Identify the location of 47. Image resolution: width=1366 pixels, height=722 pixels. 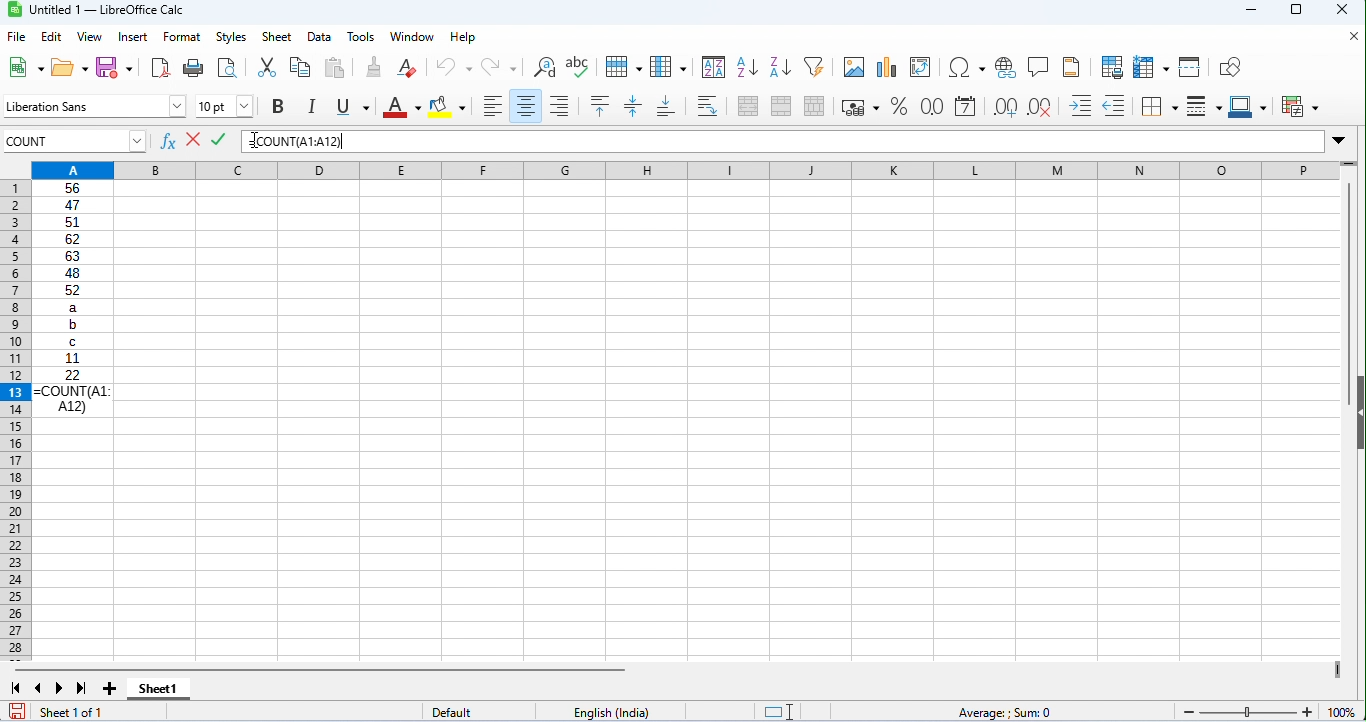
(72, 205).